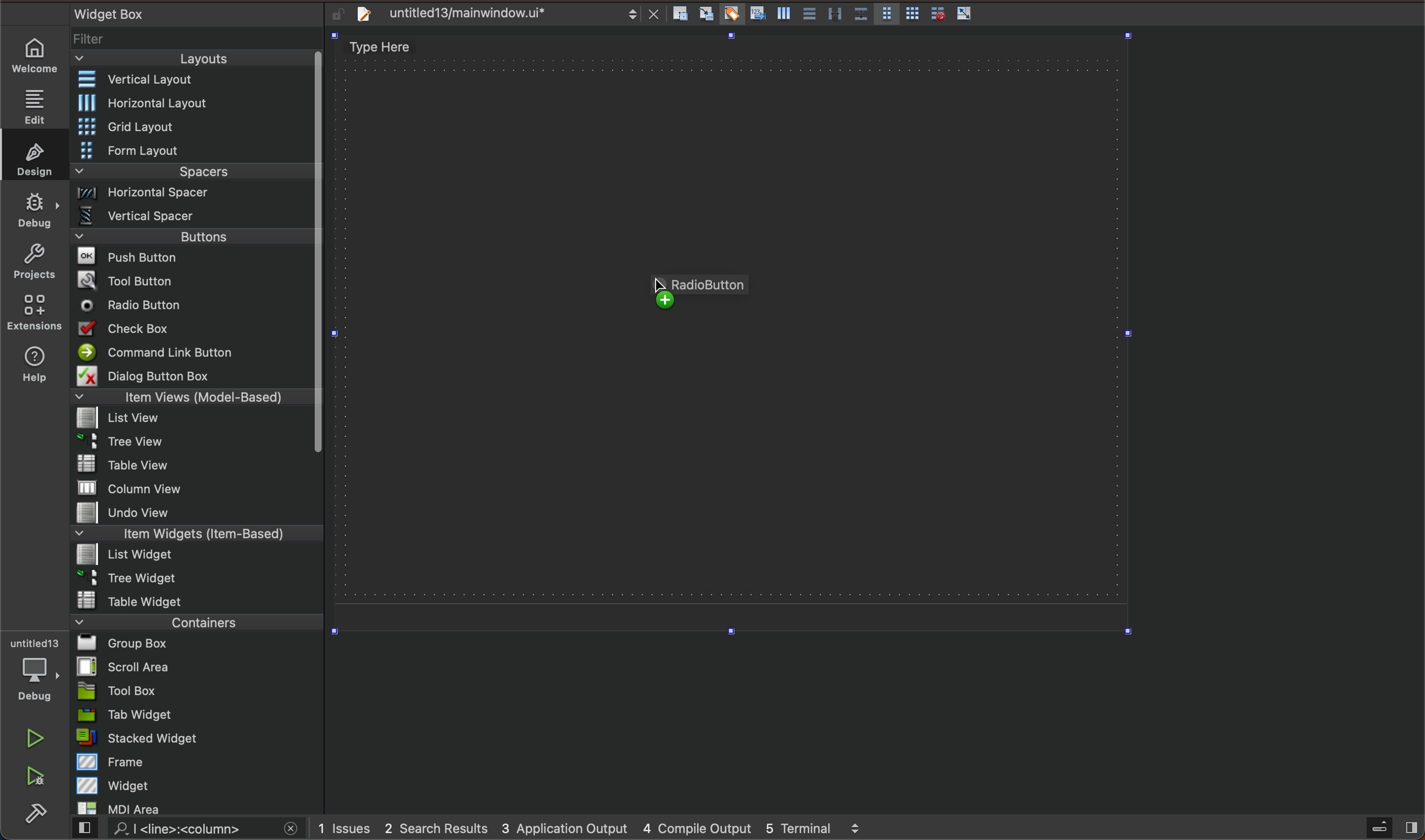  What do you see at coordinates (782, 16) in the screenshot?
I see `` at bounding box center [782, 16].